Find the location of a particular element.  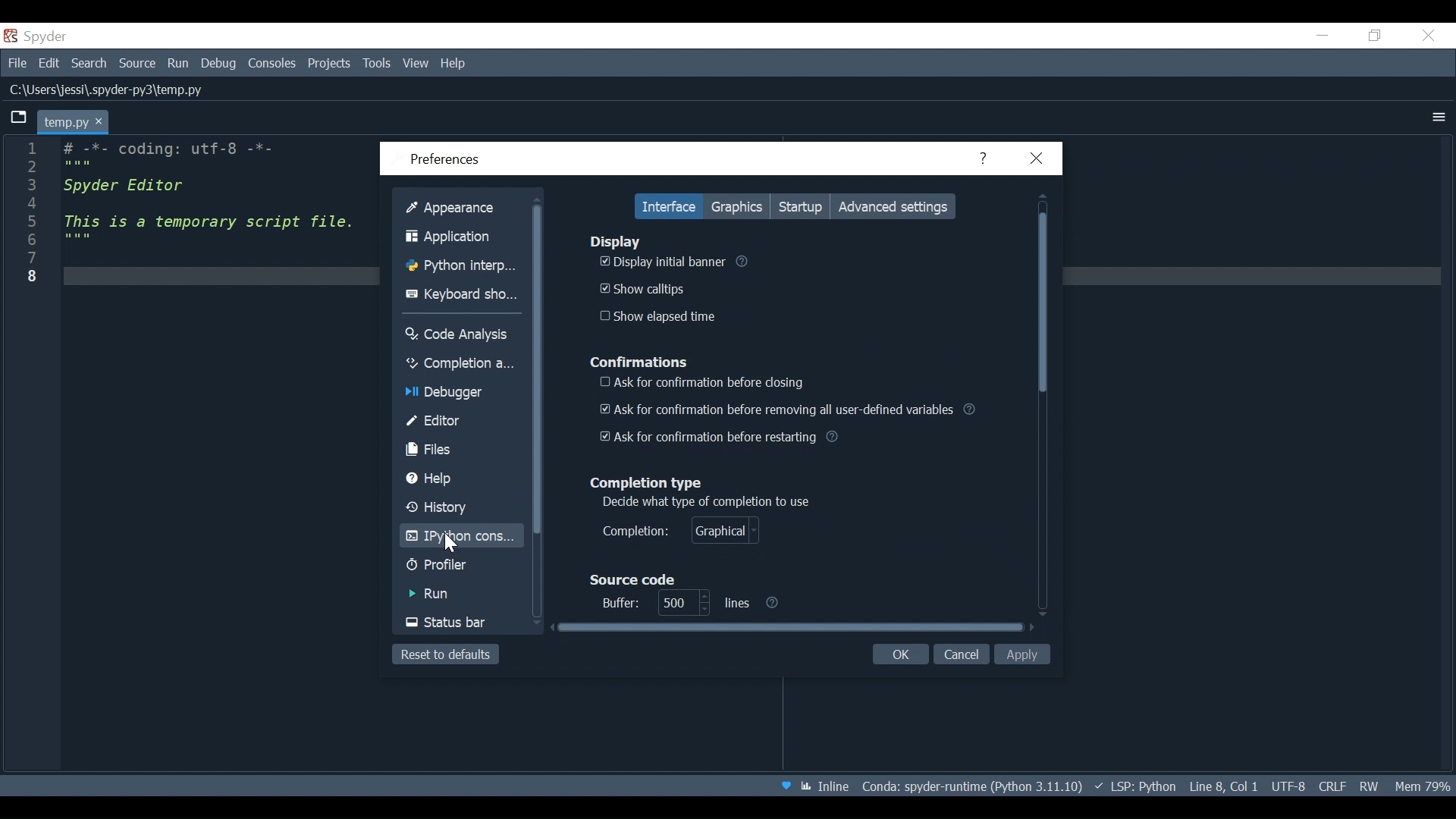

Help Spyder is located at coordinates (790, 788).